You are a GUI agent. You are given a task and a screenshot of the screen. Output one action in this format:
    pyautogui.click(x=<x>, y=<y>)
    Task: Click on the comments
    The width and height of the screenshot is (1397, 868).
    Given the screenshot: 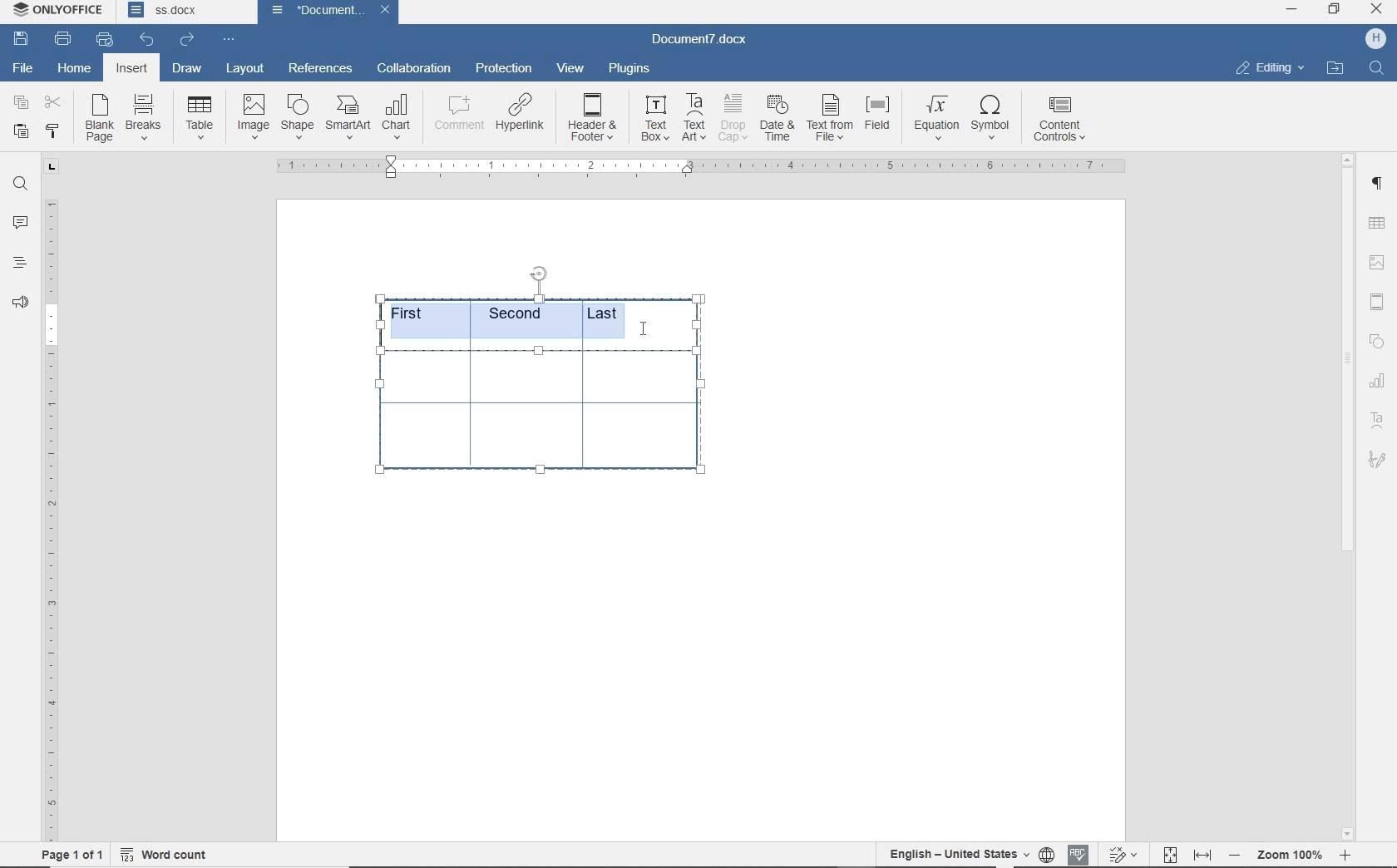 What is the action you would take?
    pyautogui.click(x=22, y=223)
    